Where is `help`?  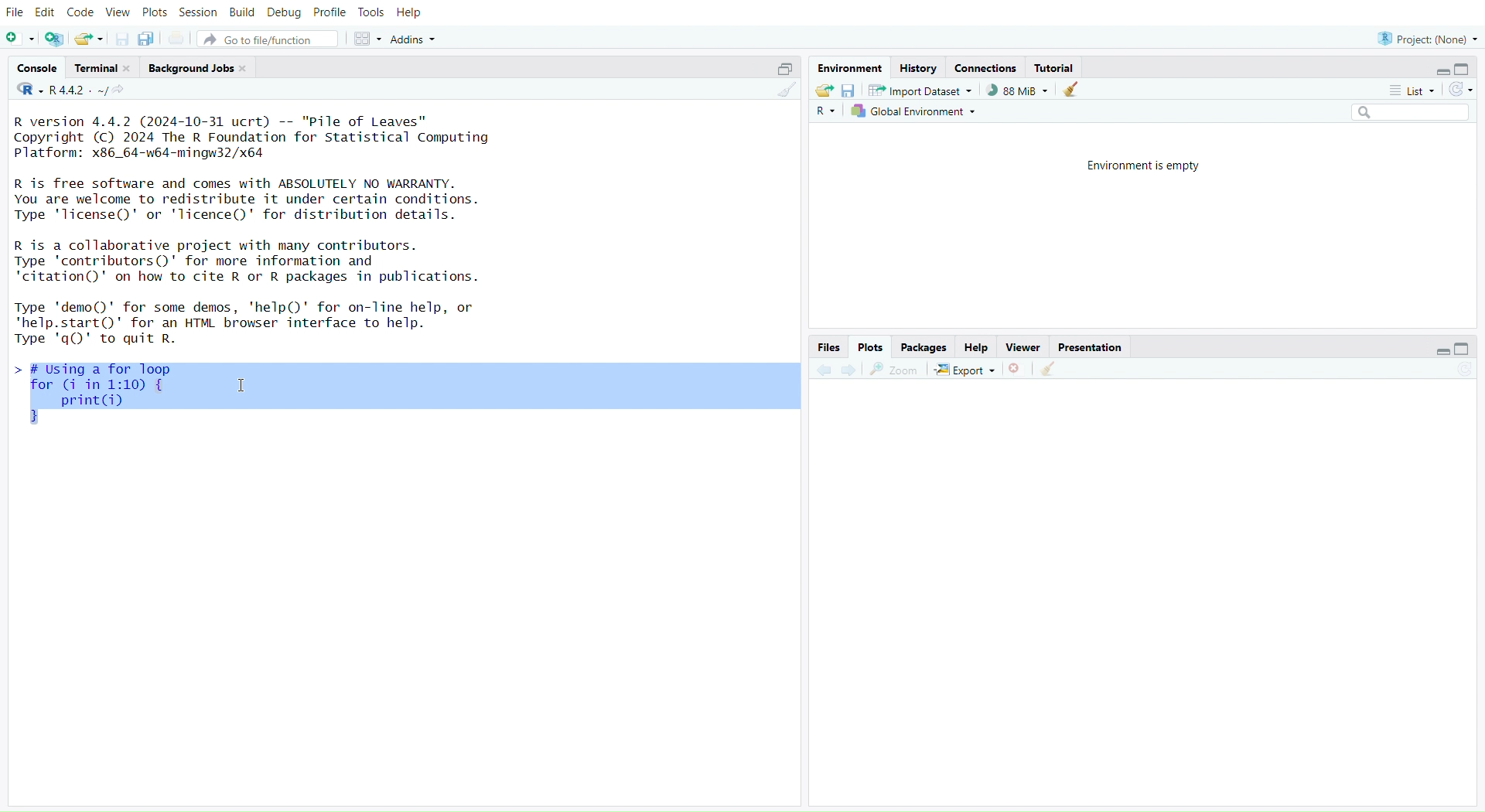 help is located at coordinates (408, 14).